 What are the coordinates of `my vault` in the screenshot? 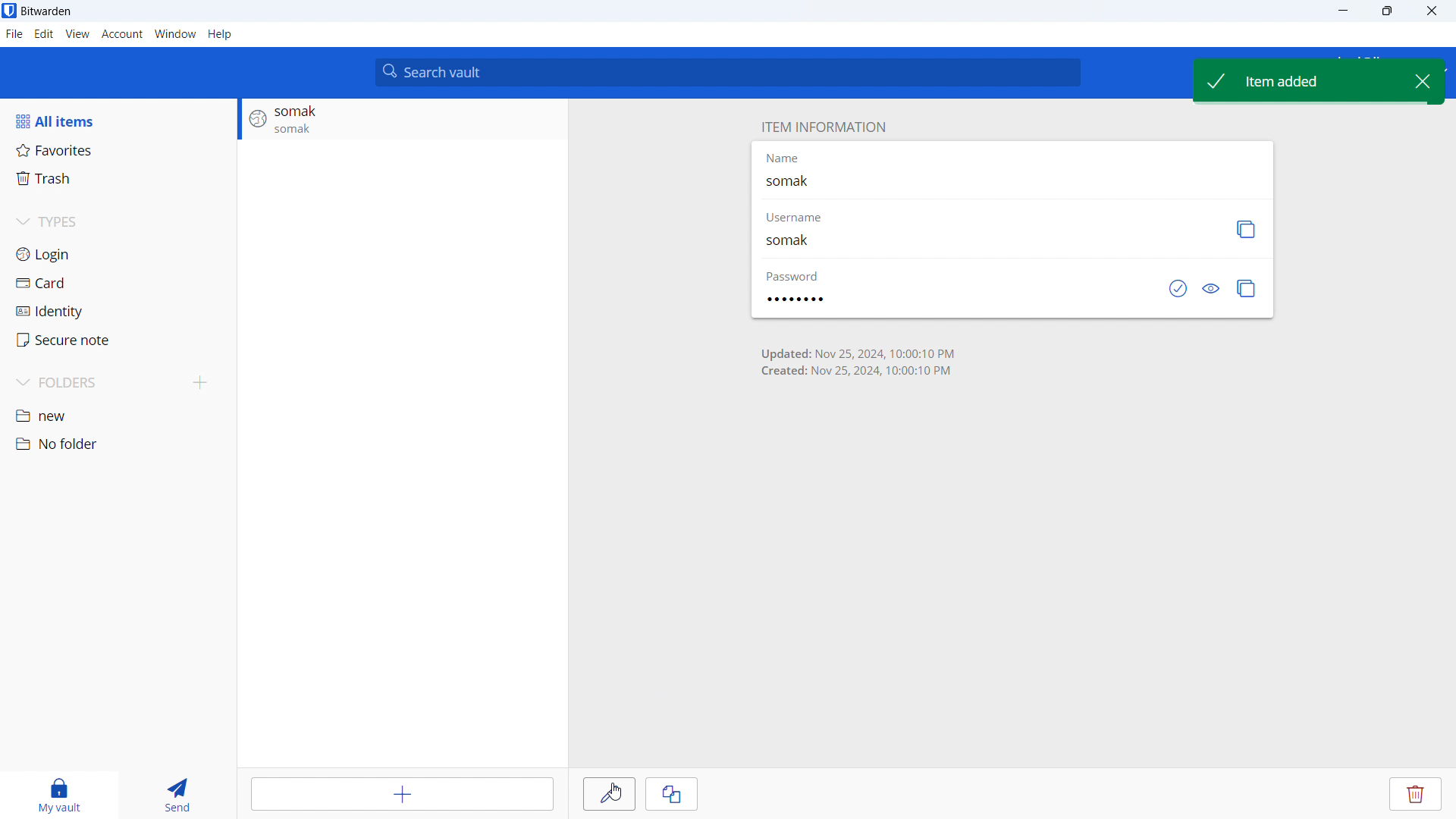 It's located at (55, 795).